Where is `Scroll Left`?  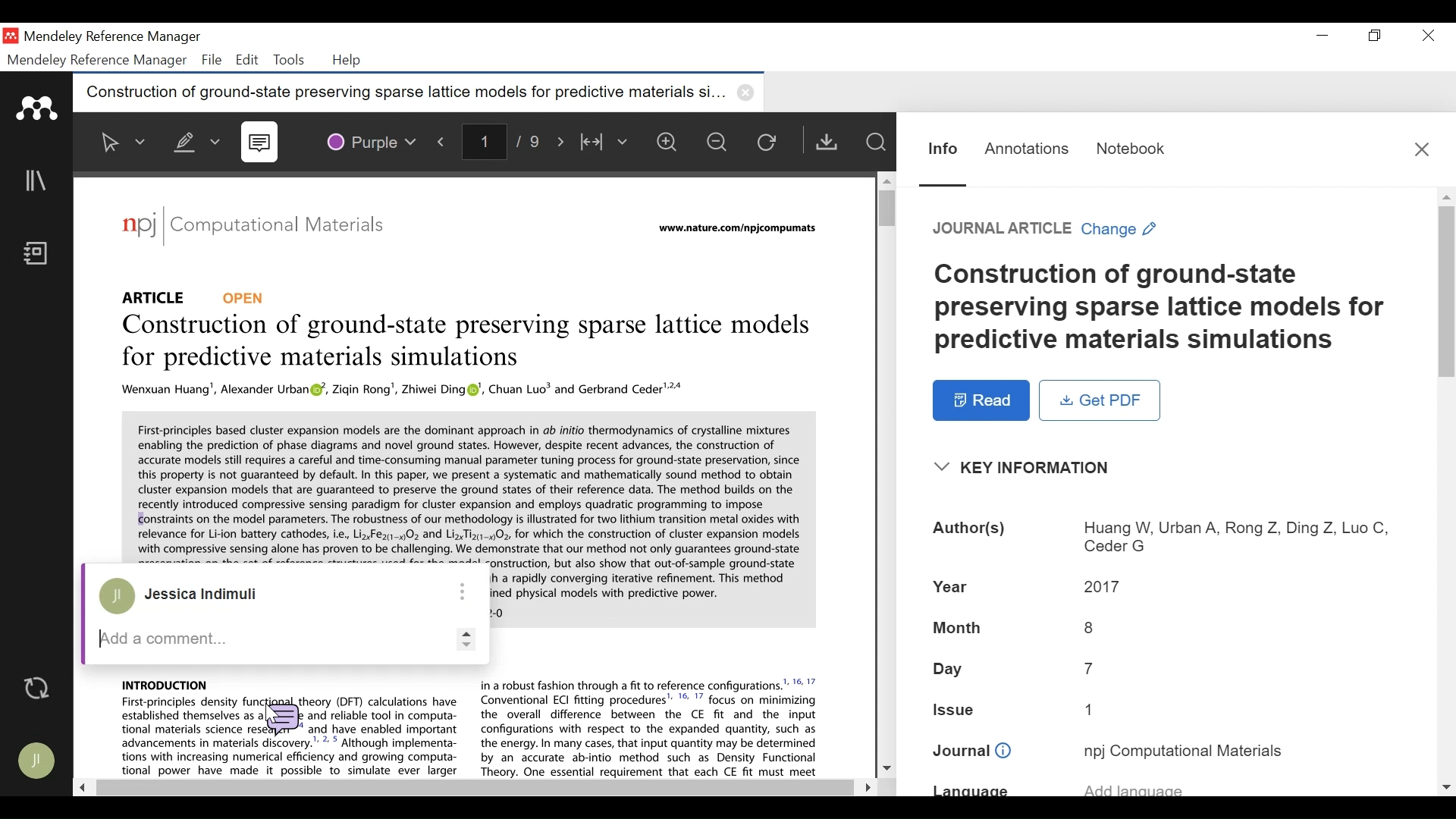 Scroll Left is located at coordinates (83, 789).